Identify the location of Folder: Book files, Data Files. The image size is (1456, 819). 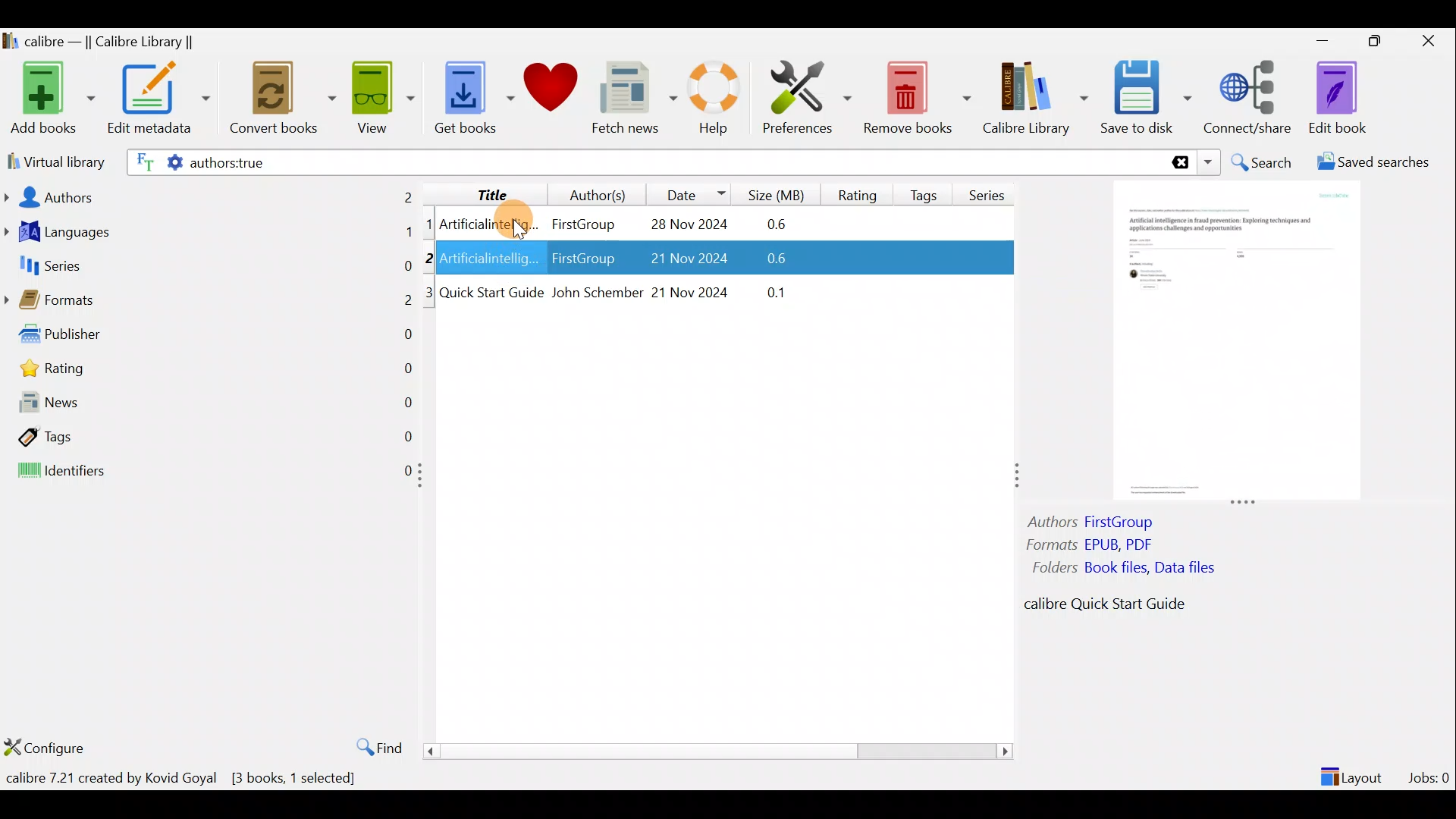
(1130, 570).